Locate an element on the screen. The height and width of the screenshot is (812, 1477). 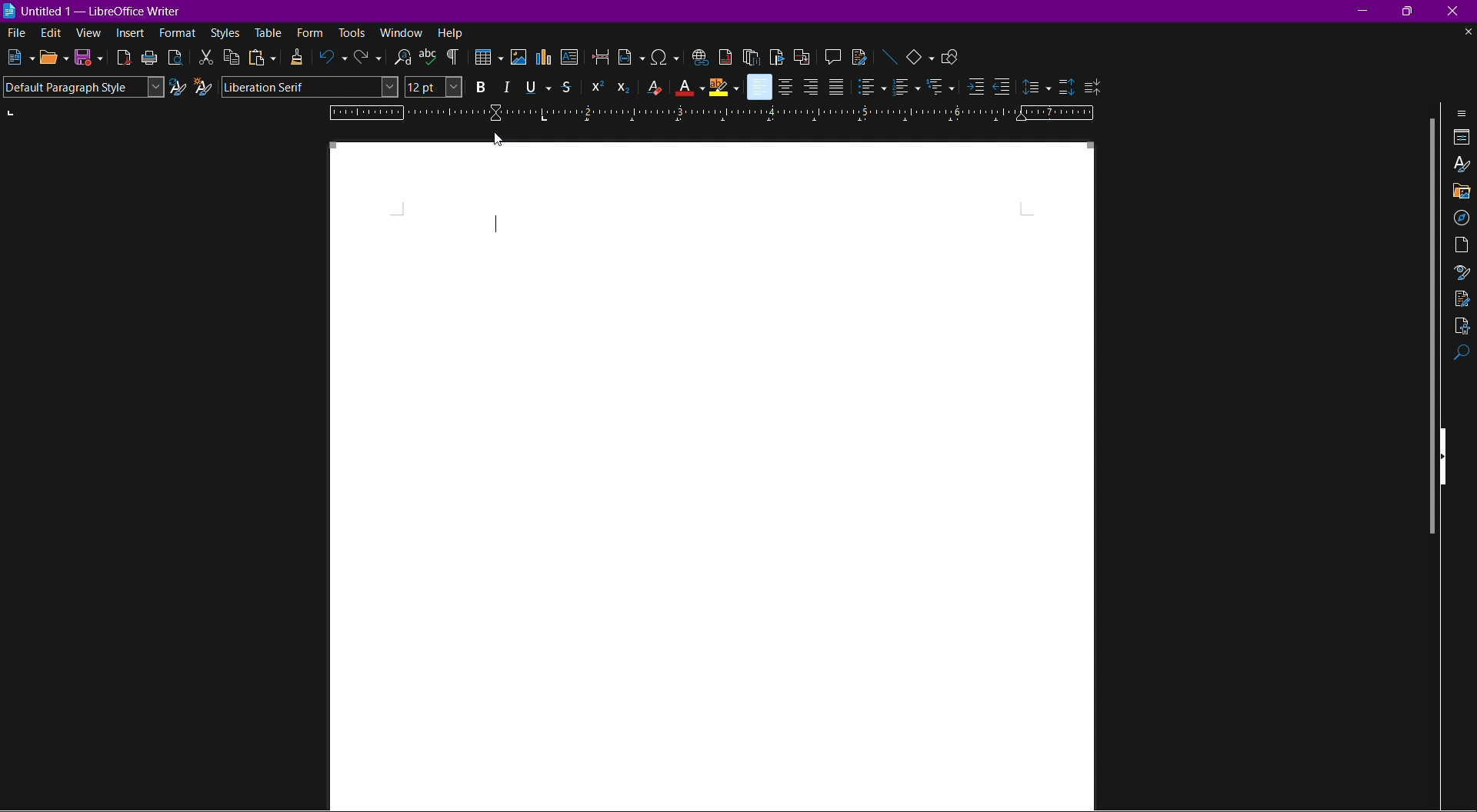
Accessibility Check is located at coordinates (1462, 327).